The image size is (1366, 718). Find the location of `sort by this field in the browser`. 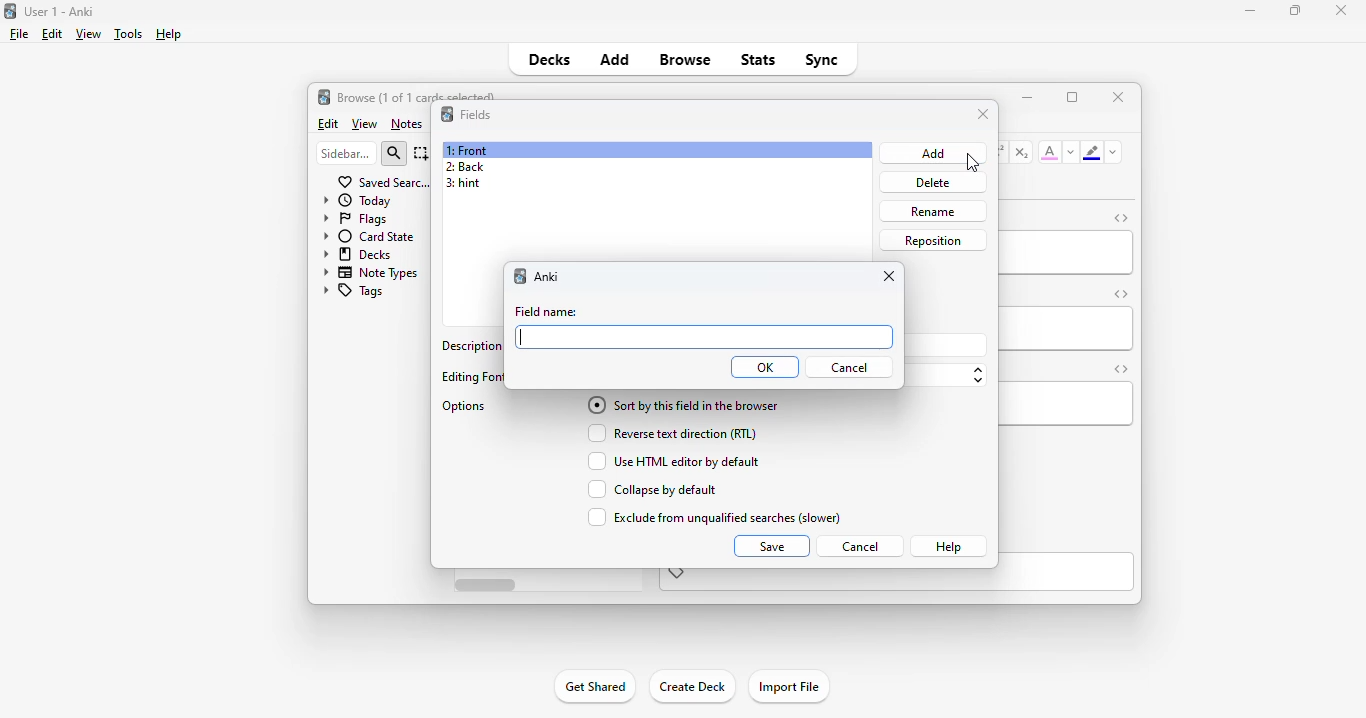

sort by this field in the browser is located at coordinates (682, 405).